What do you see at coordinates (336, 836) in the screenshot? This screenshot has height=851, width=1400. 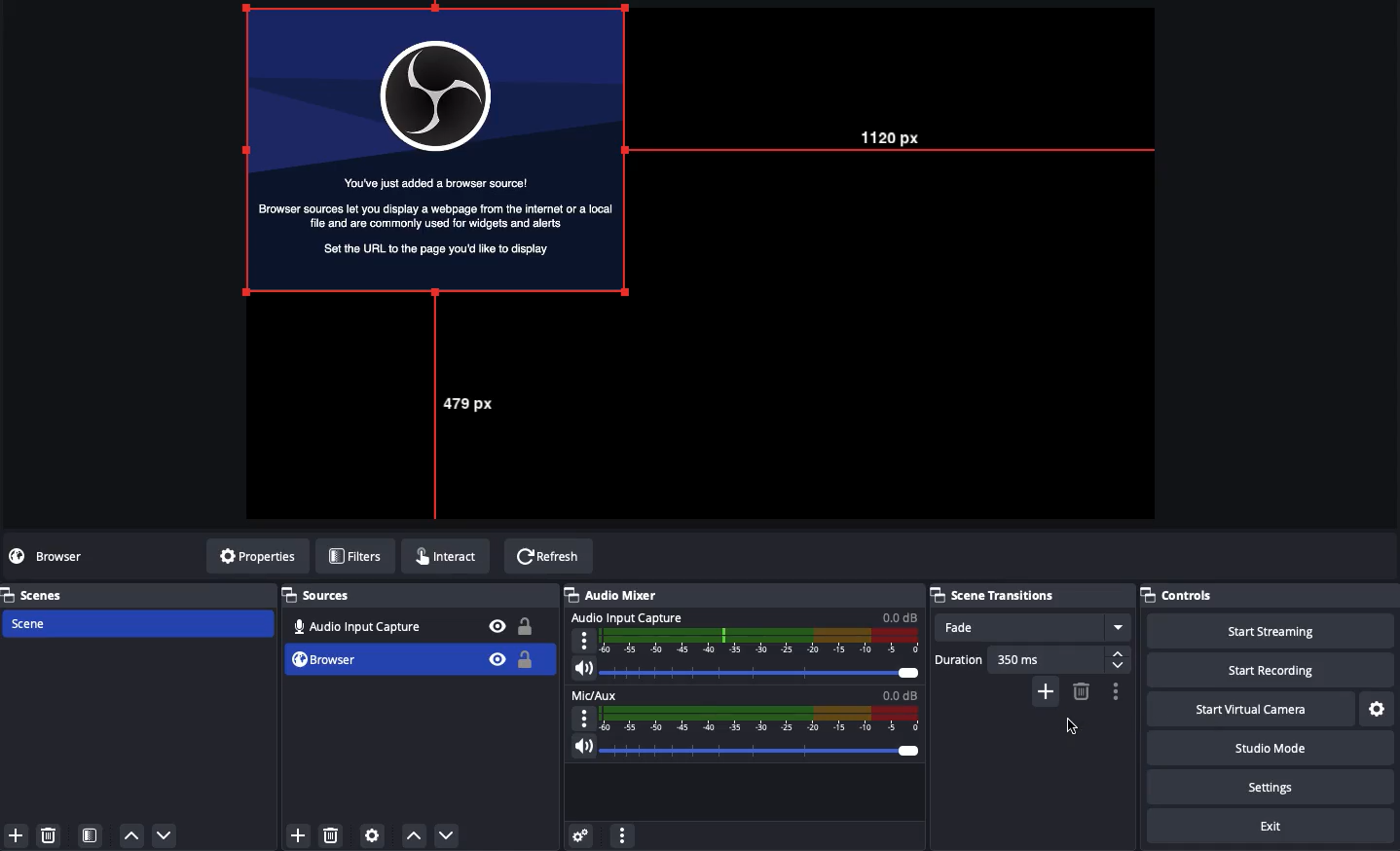 I see `delete` at bounding box center [336, 836].